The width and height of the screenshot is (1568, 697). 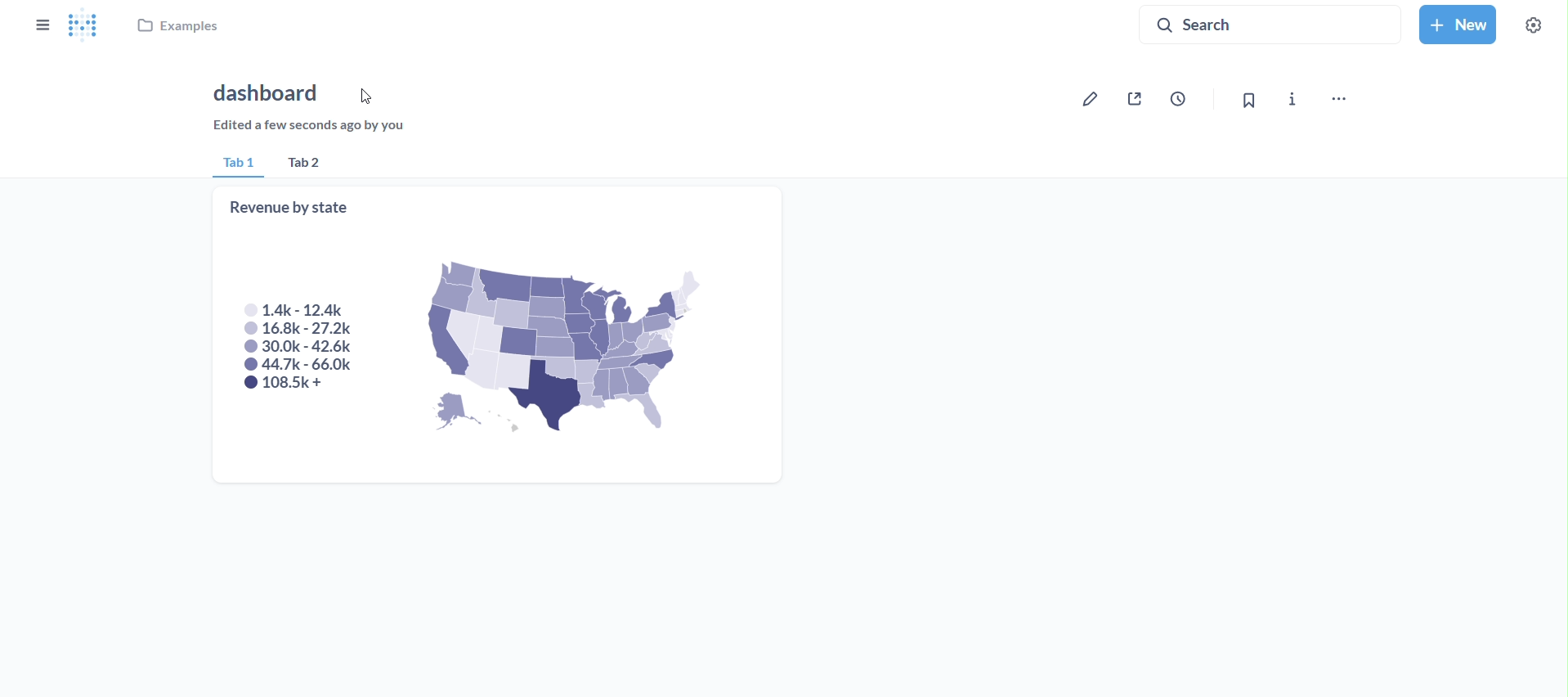 I want to click on tab 1, so click(x=237, y=164).